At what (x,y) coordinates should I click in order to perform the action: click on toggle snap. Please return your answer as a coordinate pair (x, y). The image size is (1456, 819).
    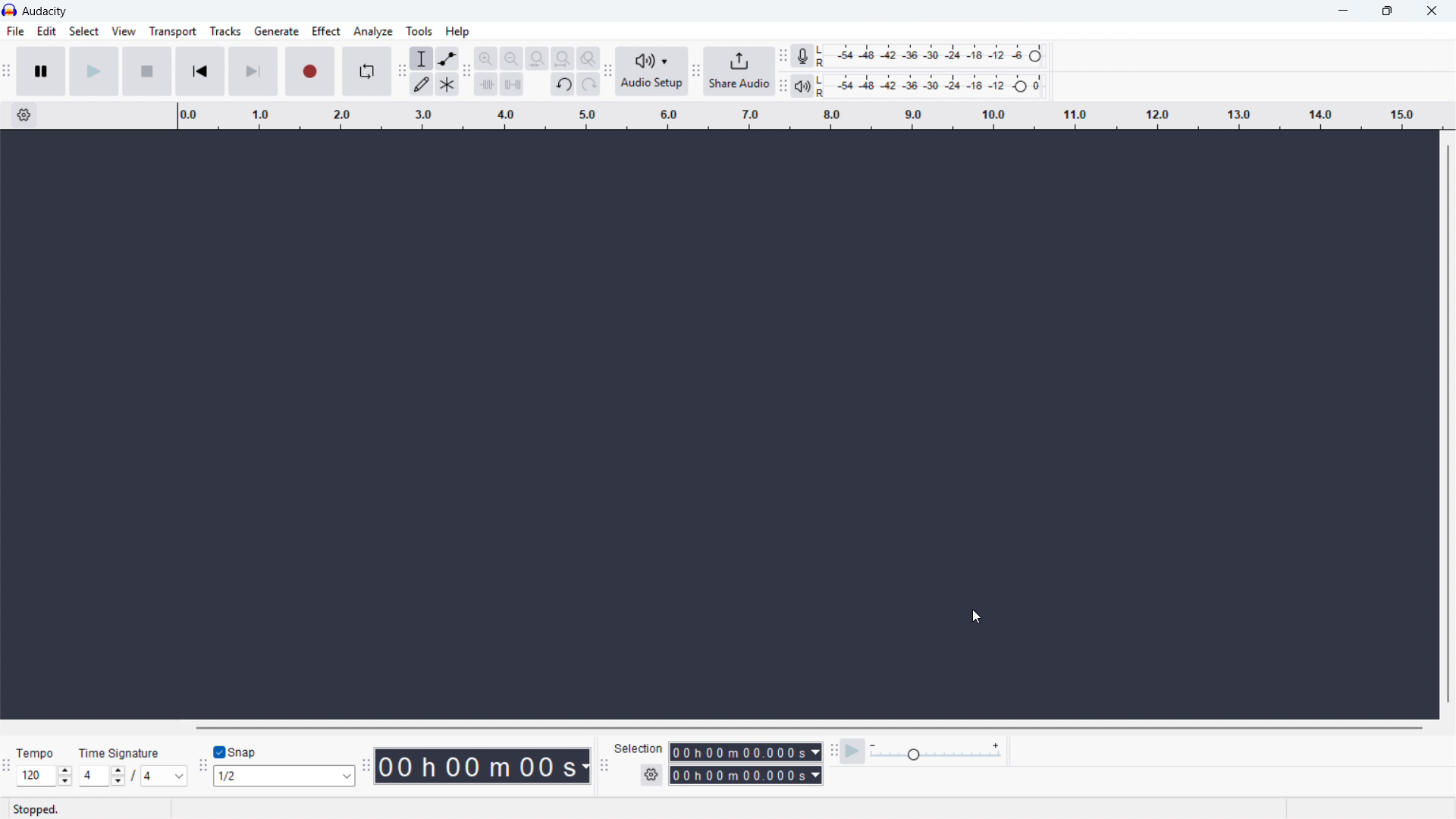
    Looking at the image, I should click on (234, 753).